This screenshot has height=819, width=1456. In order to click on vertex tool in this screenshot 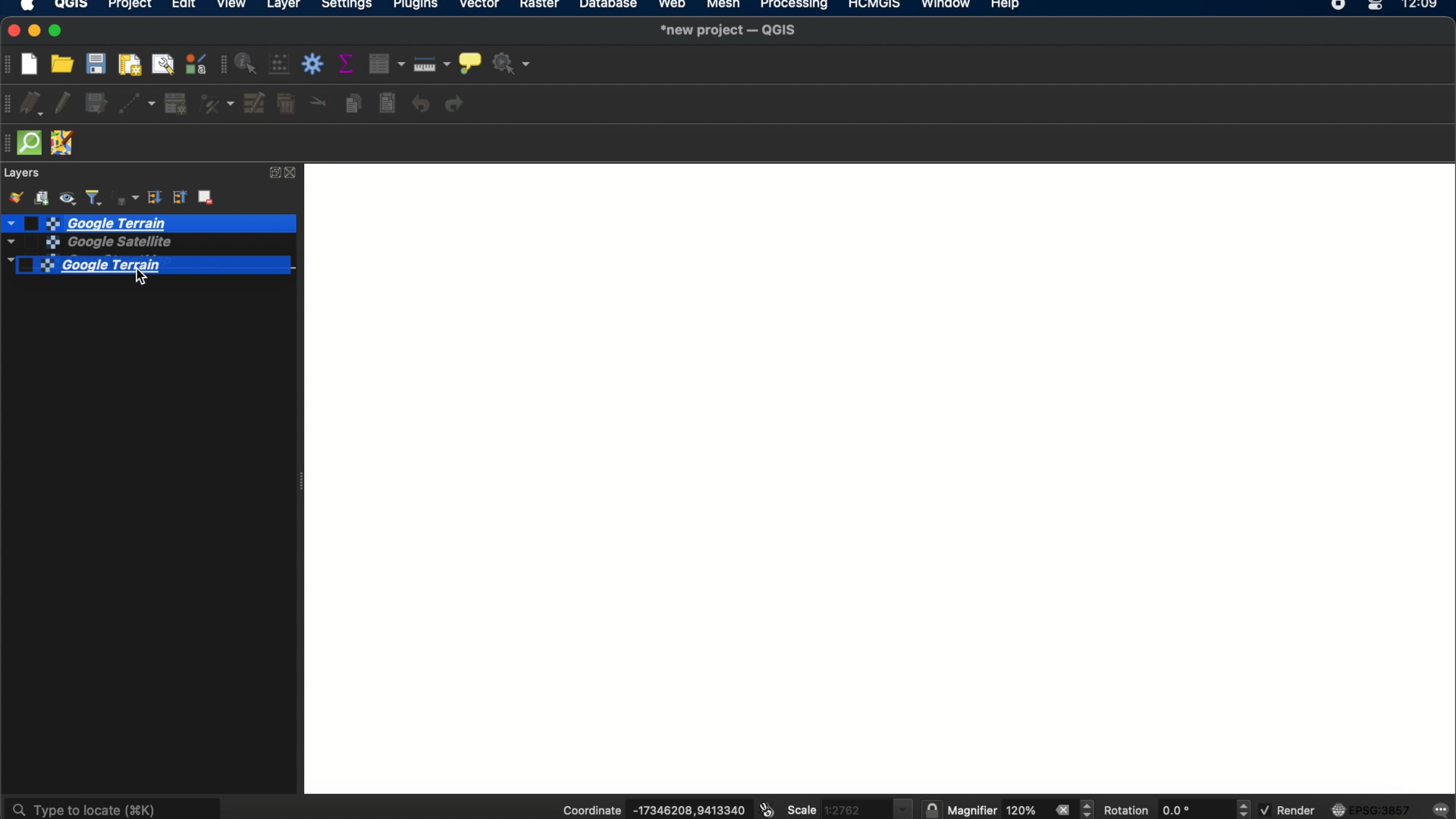, I will do `click(217, 105)`.